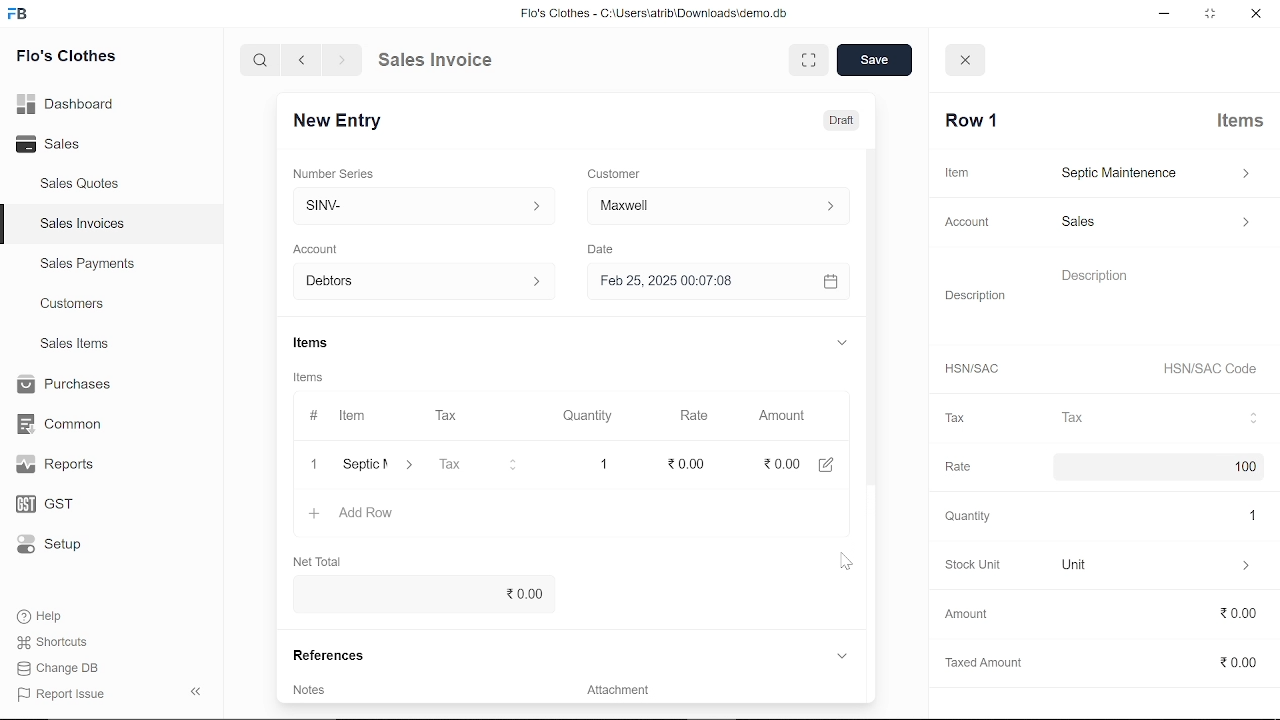 The image size is (1280, 720). Describe the element at coordinates (417, 281) in the screenshot. I see `Debtors` at that location.